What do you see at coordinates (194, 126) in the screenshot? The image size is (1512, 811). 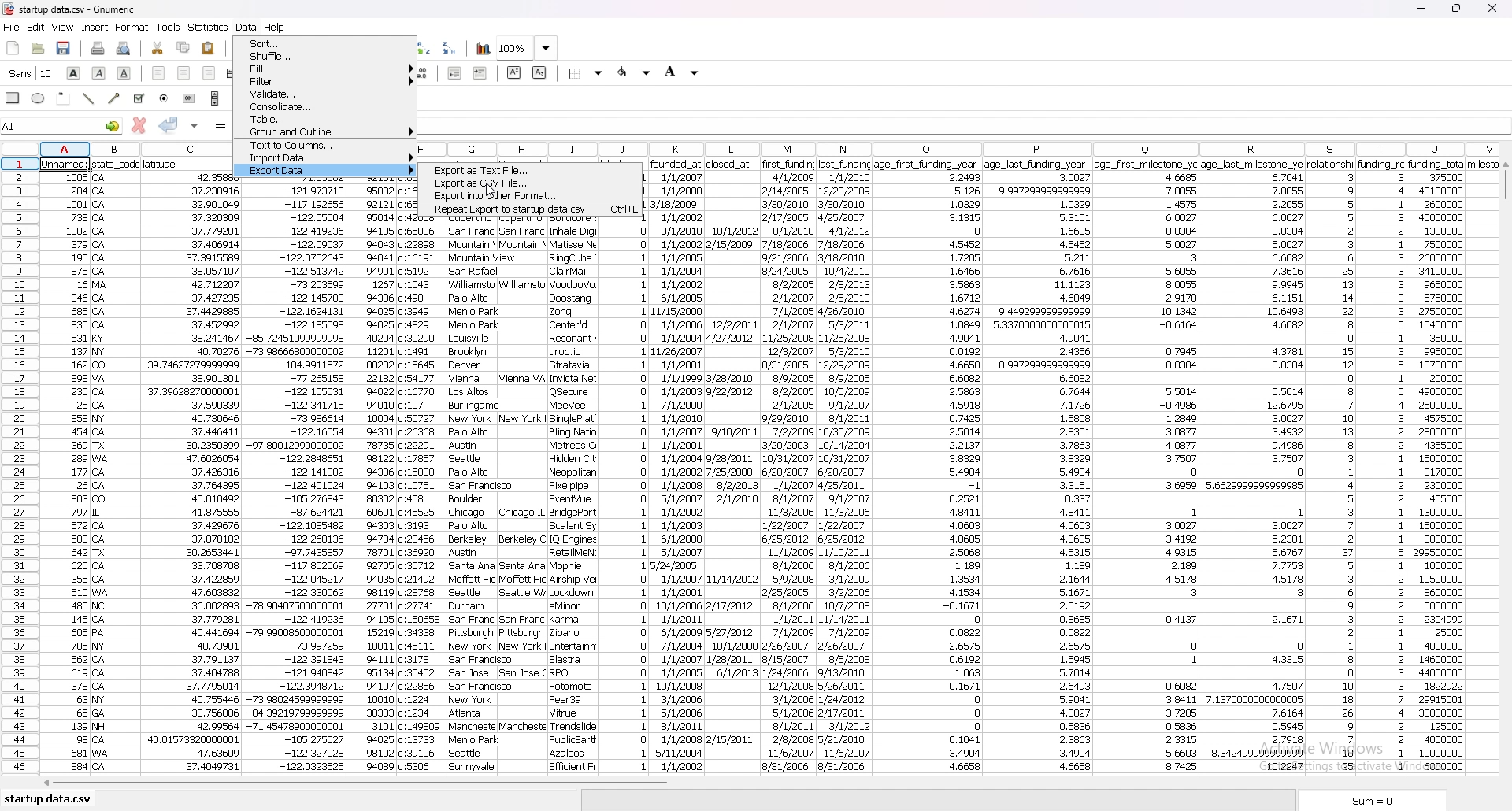 I see `accept changes in multple cell` at bounding box center [194, 126].